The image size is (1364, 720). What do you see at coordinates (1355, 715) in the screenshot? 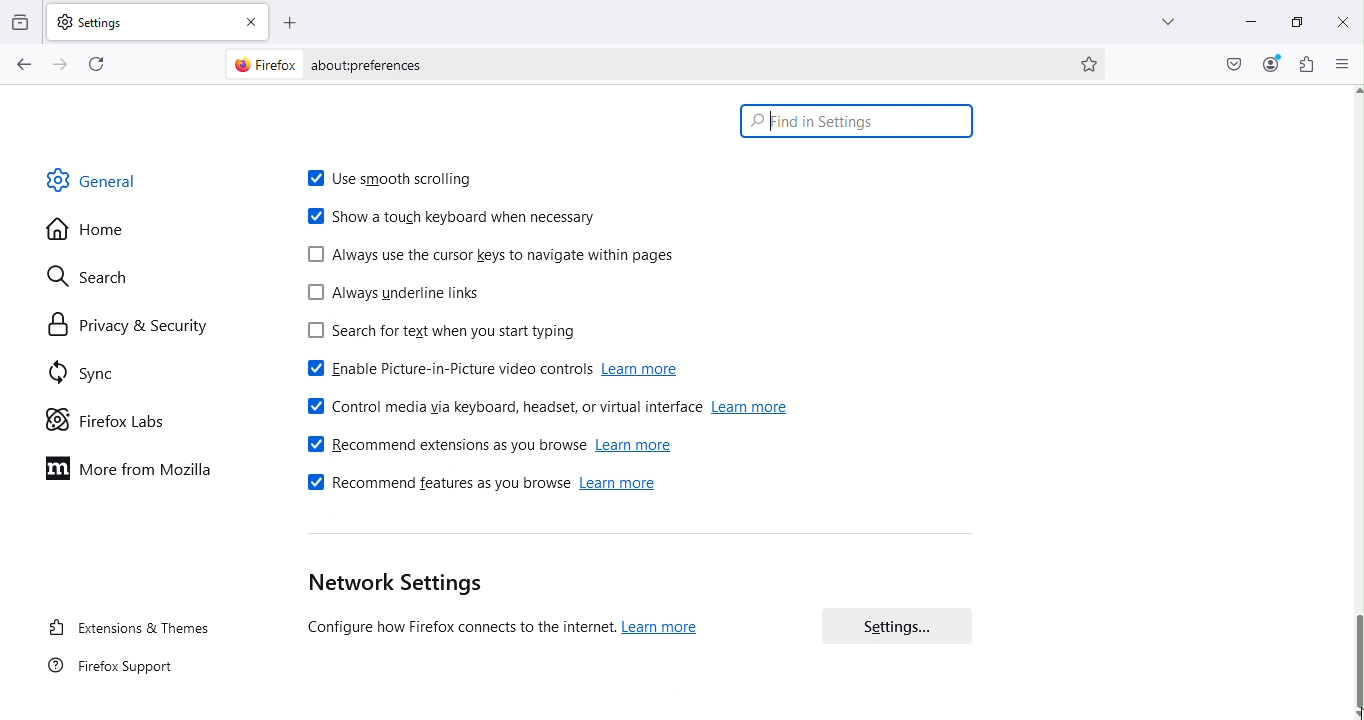
I see `cursor` at bounding box center [1355, 715].